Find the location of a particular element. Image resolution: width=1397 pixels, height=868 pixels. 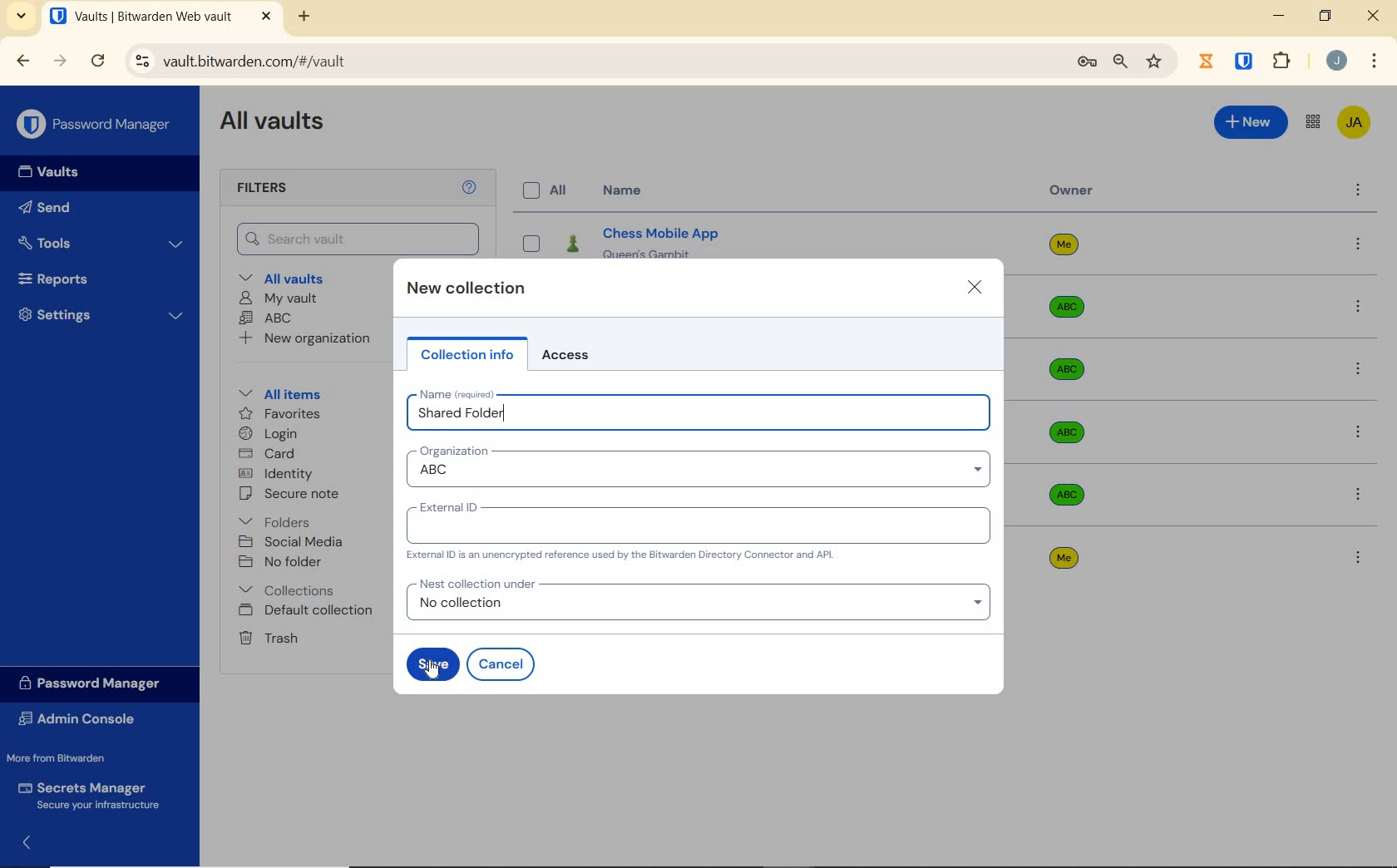

Reports is located at coordinates (63, 278).